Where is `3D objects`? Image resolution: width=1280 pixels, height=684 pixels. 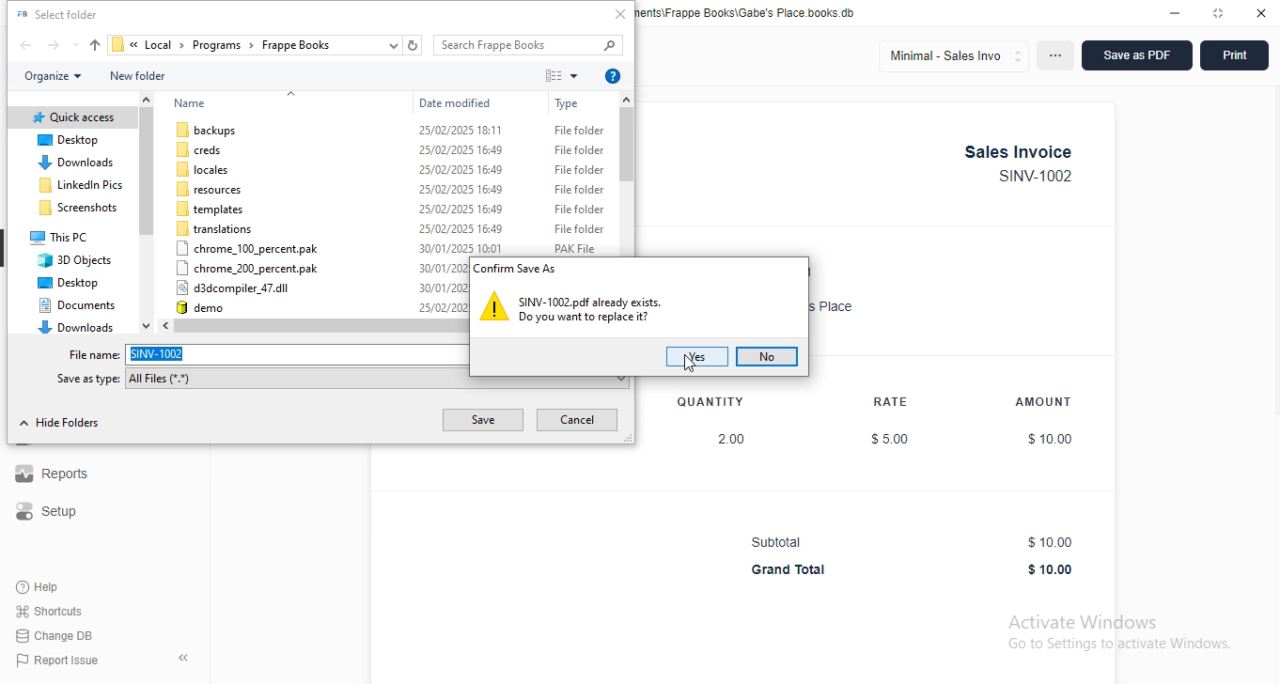 3D objects is located at coordinates (75, 260).